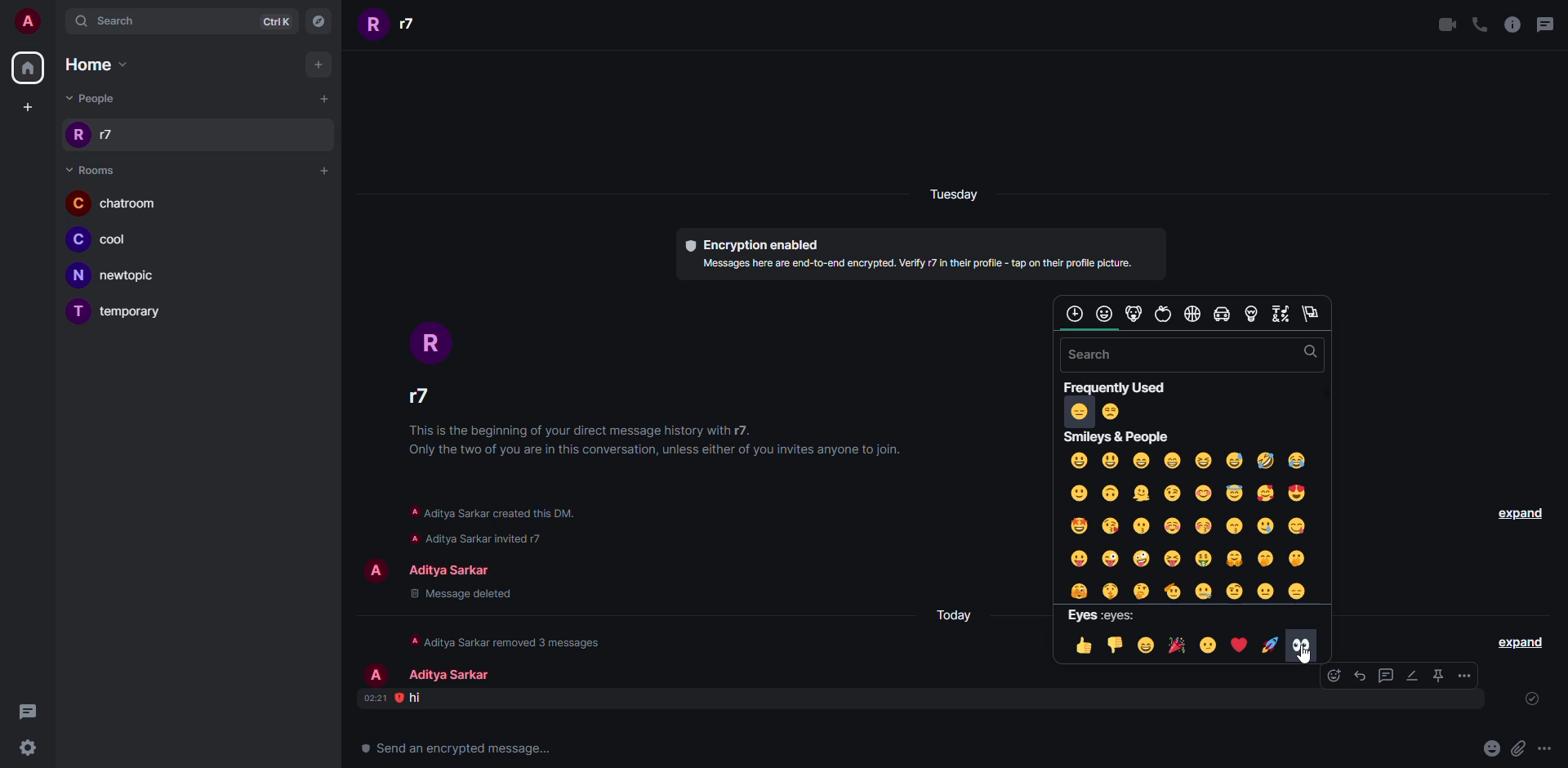 The width and height of the screenshot is (1568, 768). Describe the element at coordinates (28, 105) in the screenshot. I see `create space` at that location.